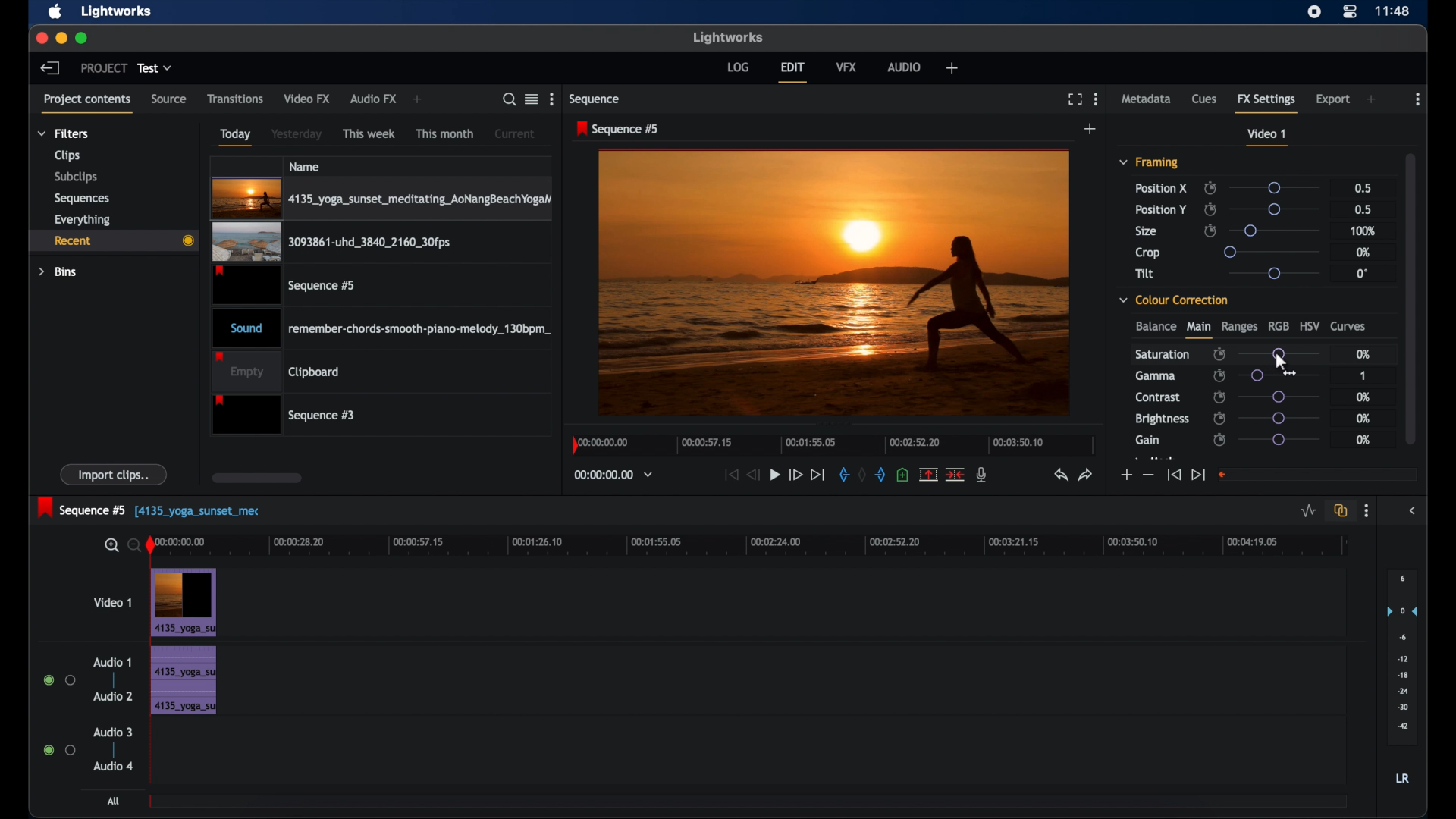 The width and height of the screenshot is (1456, 819). I want to click on fx settings, so click(1268, 102).